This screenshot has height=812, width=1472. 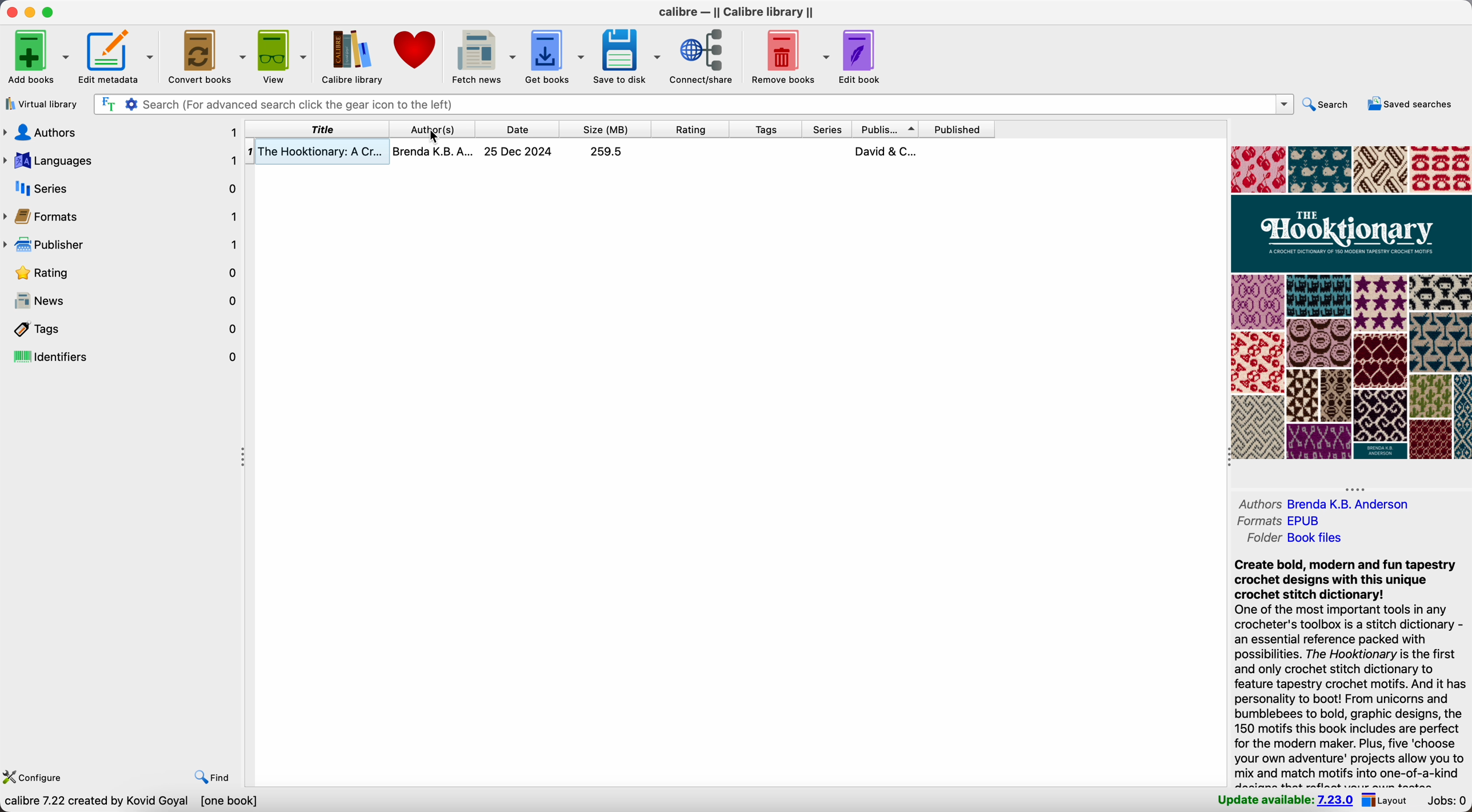 What do you see at coordinates (619, 152) in the screenshot?
I see `book` at bounding box center [619, 152].